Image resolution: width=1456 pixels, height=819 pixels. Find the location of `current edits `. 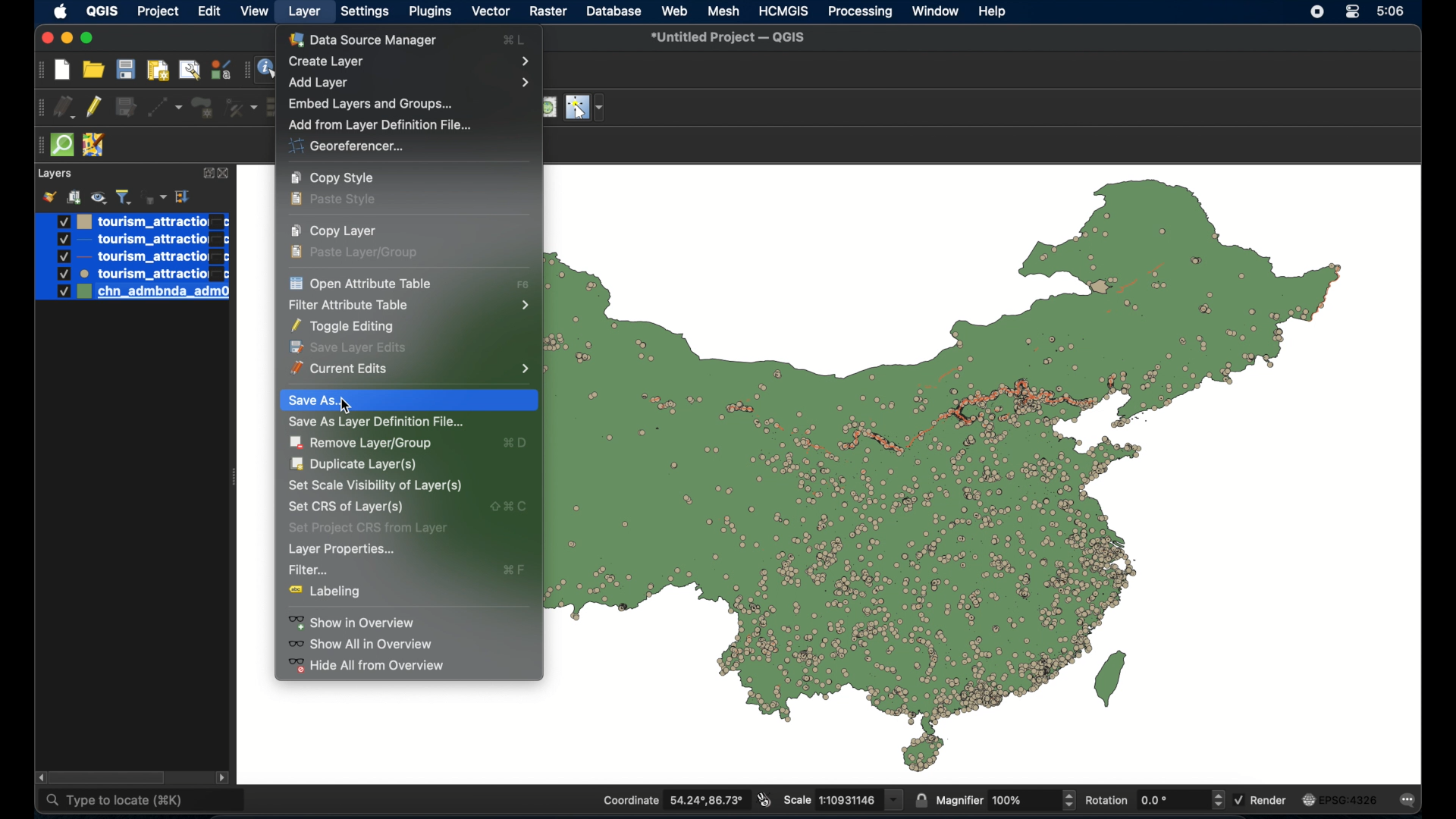

current edits  is located at coordinates (65, 108).